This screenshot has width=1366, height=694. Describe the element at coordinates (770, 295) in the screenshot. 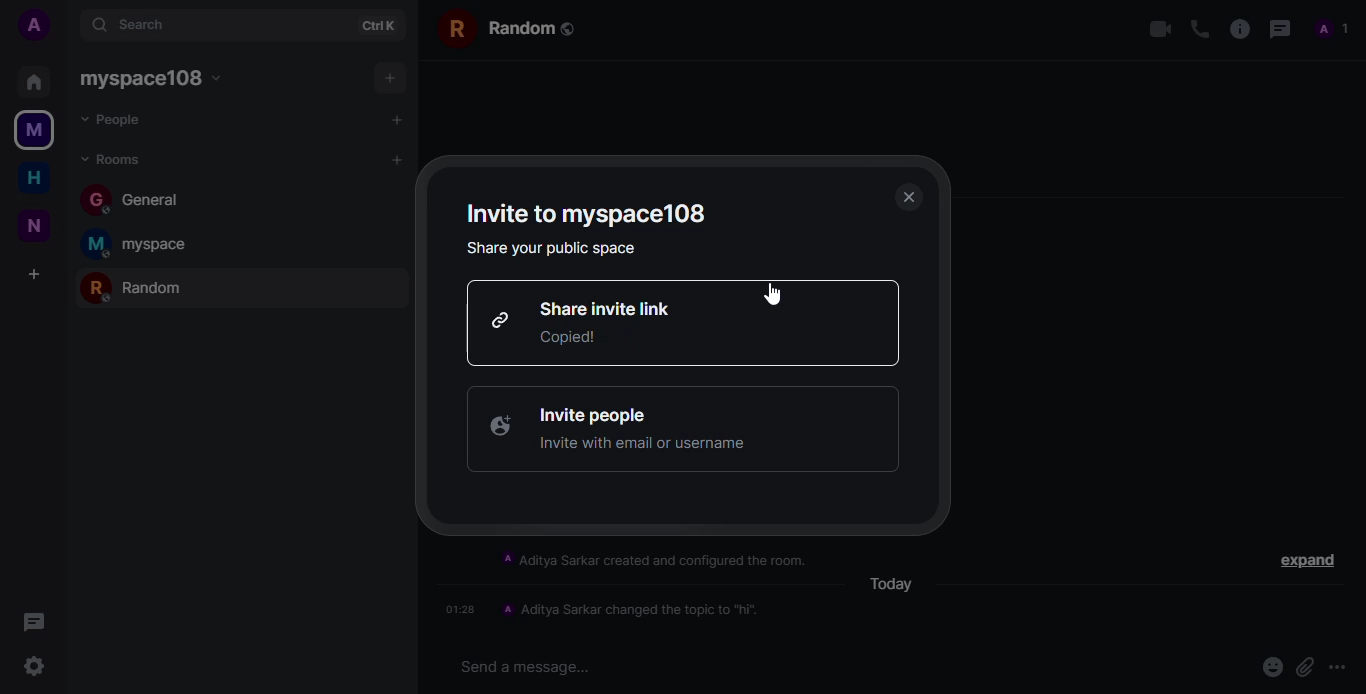

I see `cursor` at that location.